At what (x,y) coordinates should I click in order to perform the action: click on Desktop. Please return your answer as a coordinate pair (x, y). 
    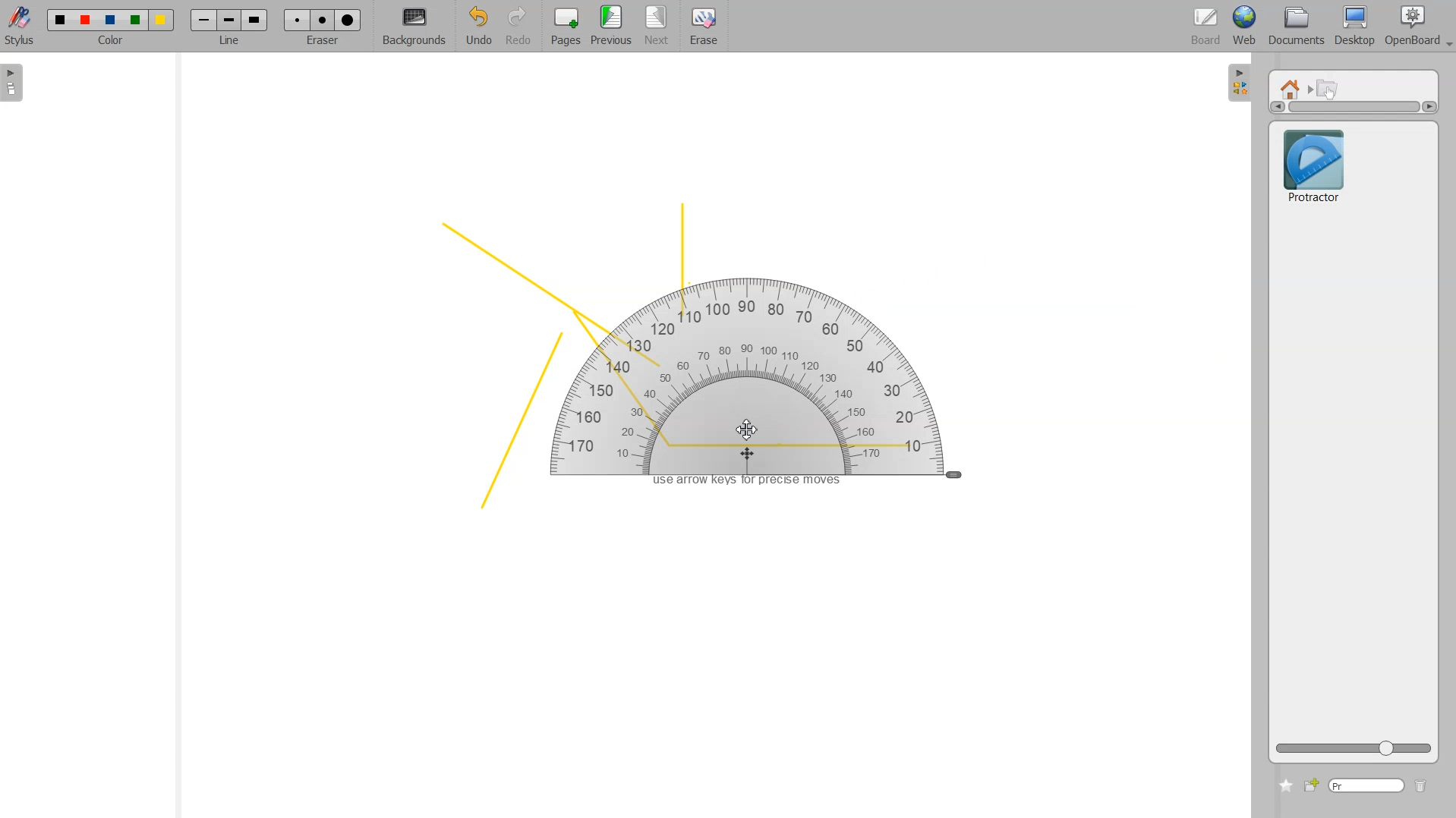
    Looking at the image, I should click on (1354, 27).